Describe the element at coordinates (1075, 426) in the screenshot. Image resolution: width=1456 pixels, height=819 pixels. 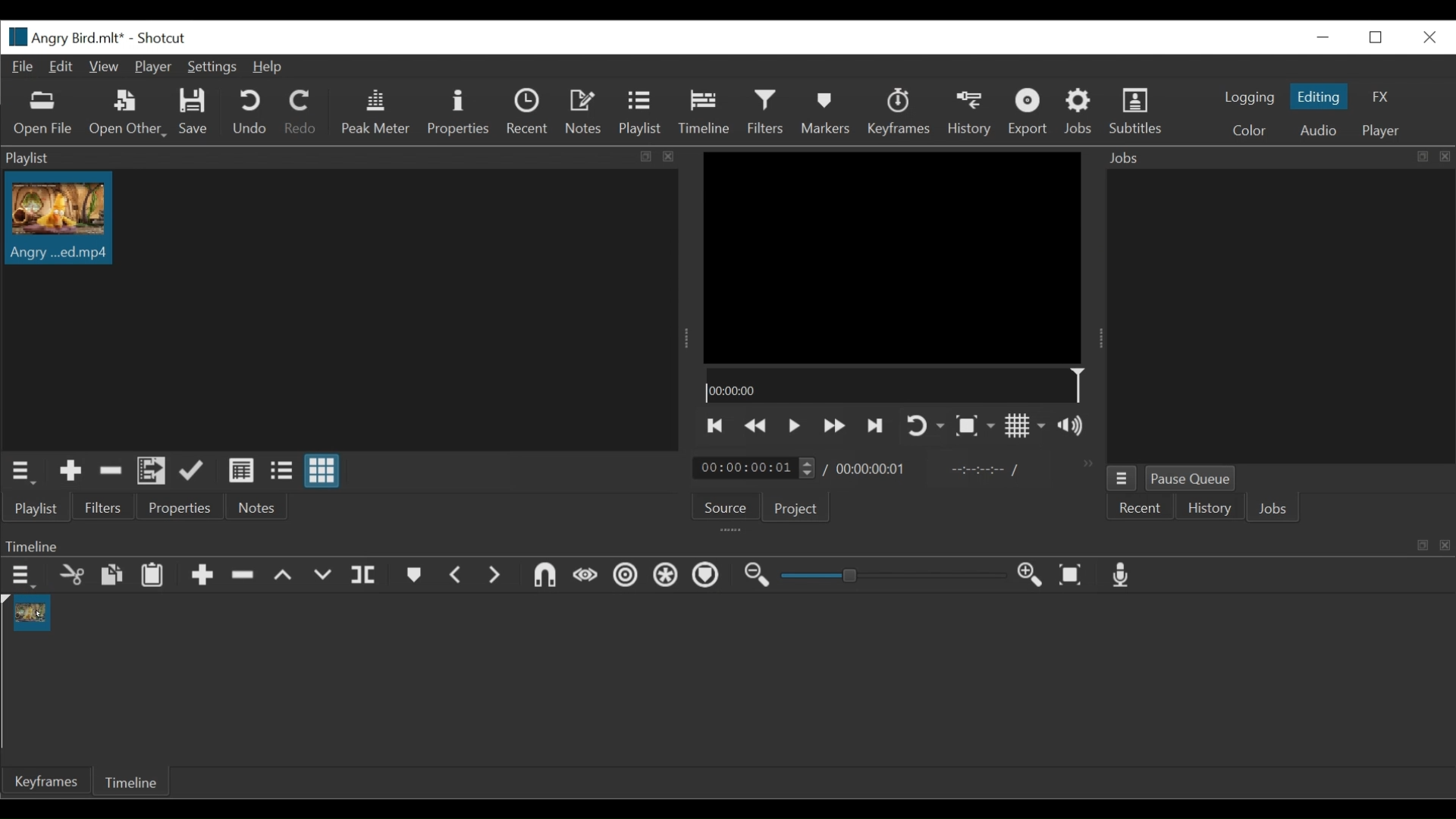
I see `Show thevolume control` at that location.